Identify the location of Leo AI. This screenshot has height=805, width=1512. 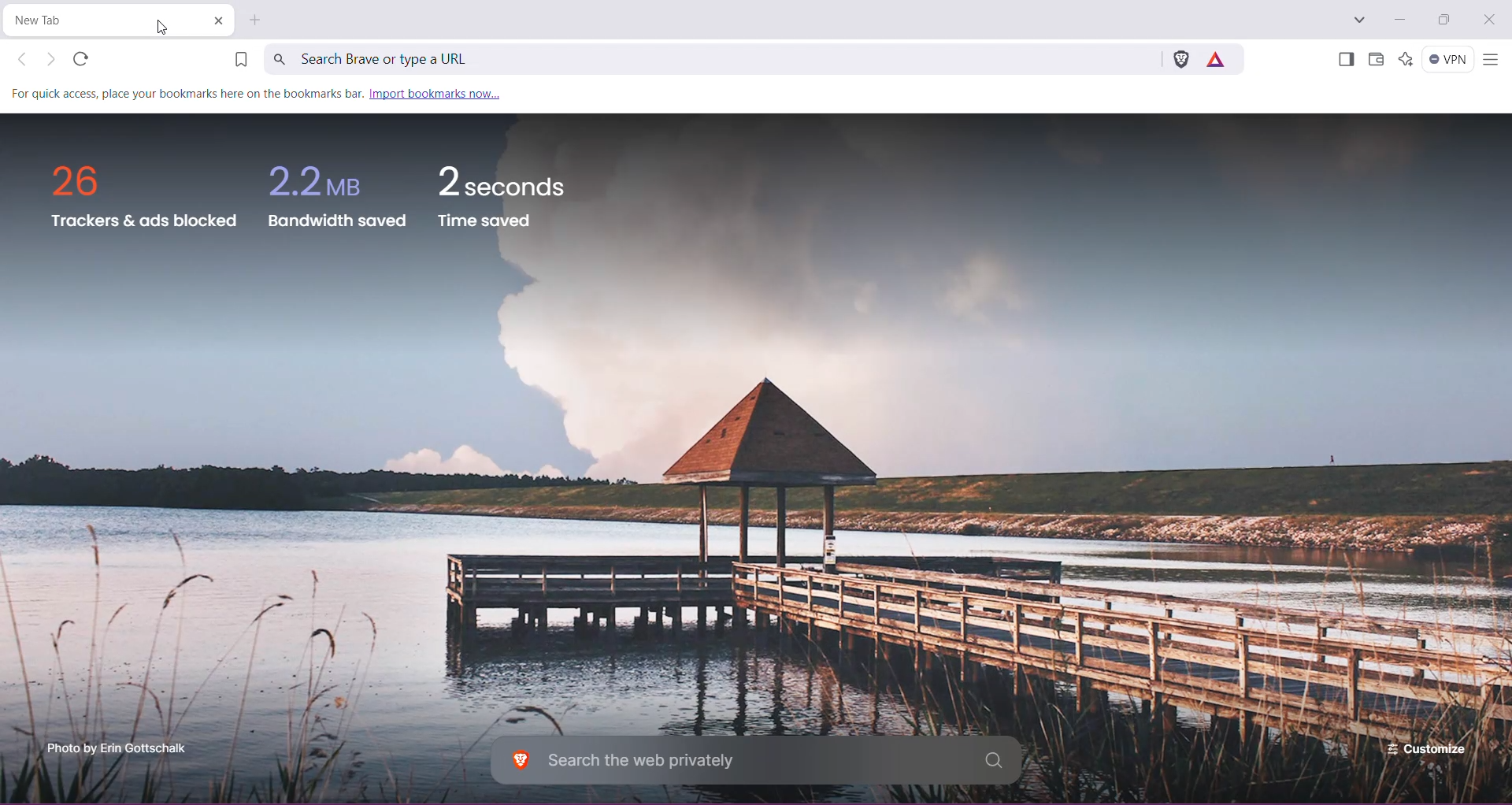
(1406, 60).